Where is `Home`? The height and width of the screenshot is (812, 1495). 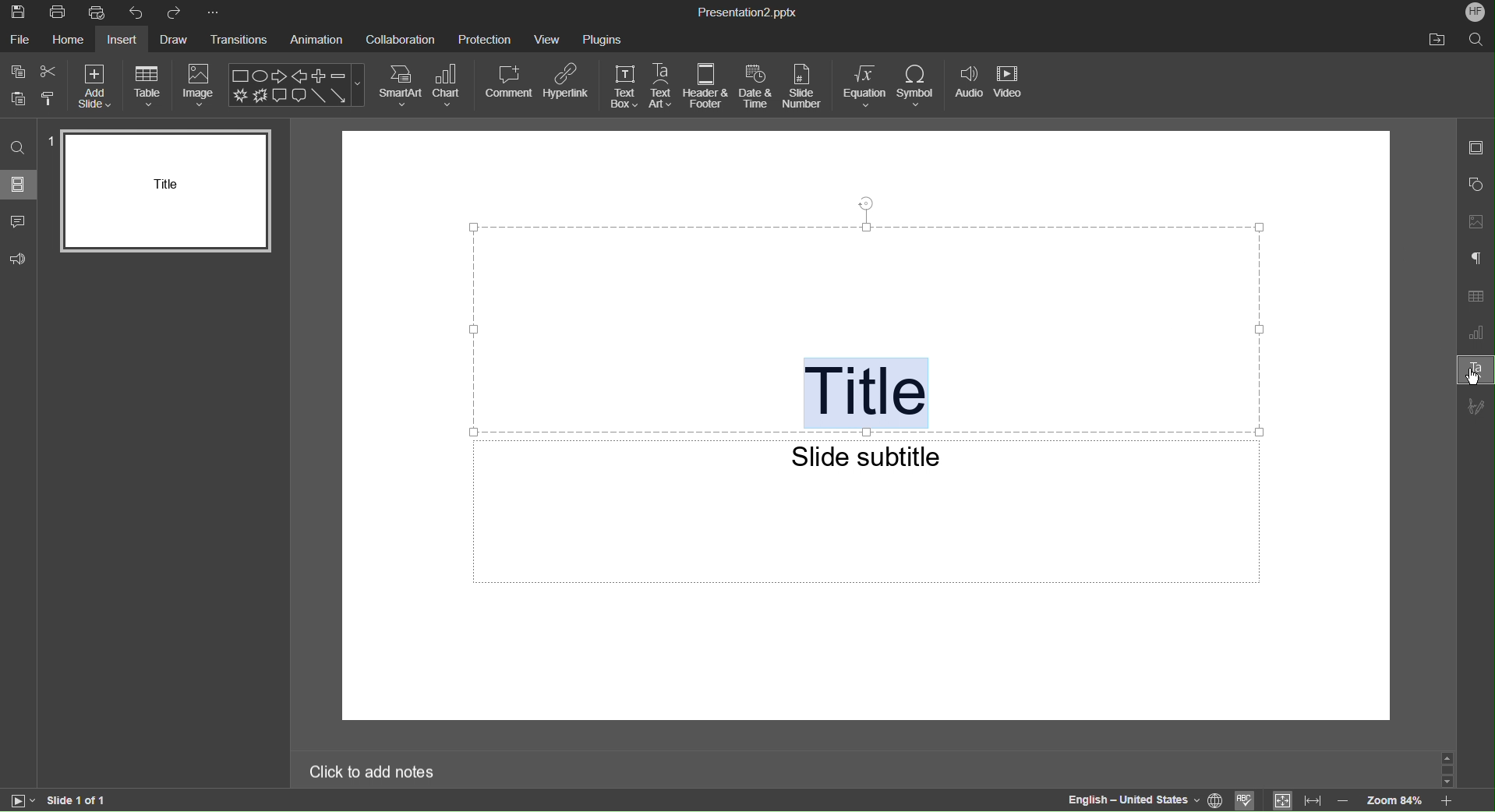
Home is located at coordinates (68, 41).